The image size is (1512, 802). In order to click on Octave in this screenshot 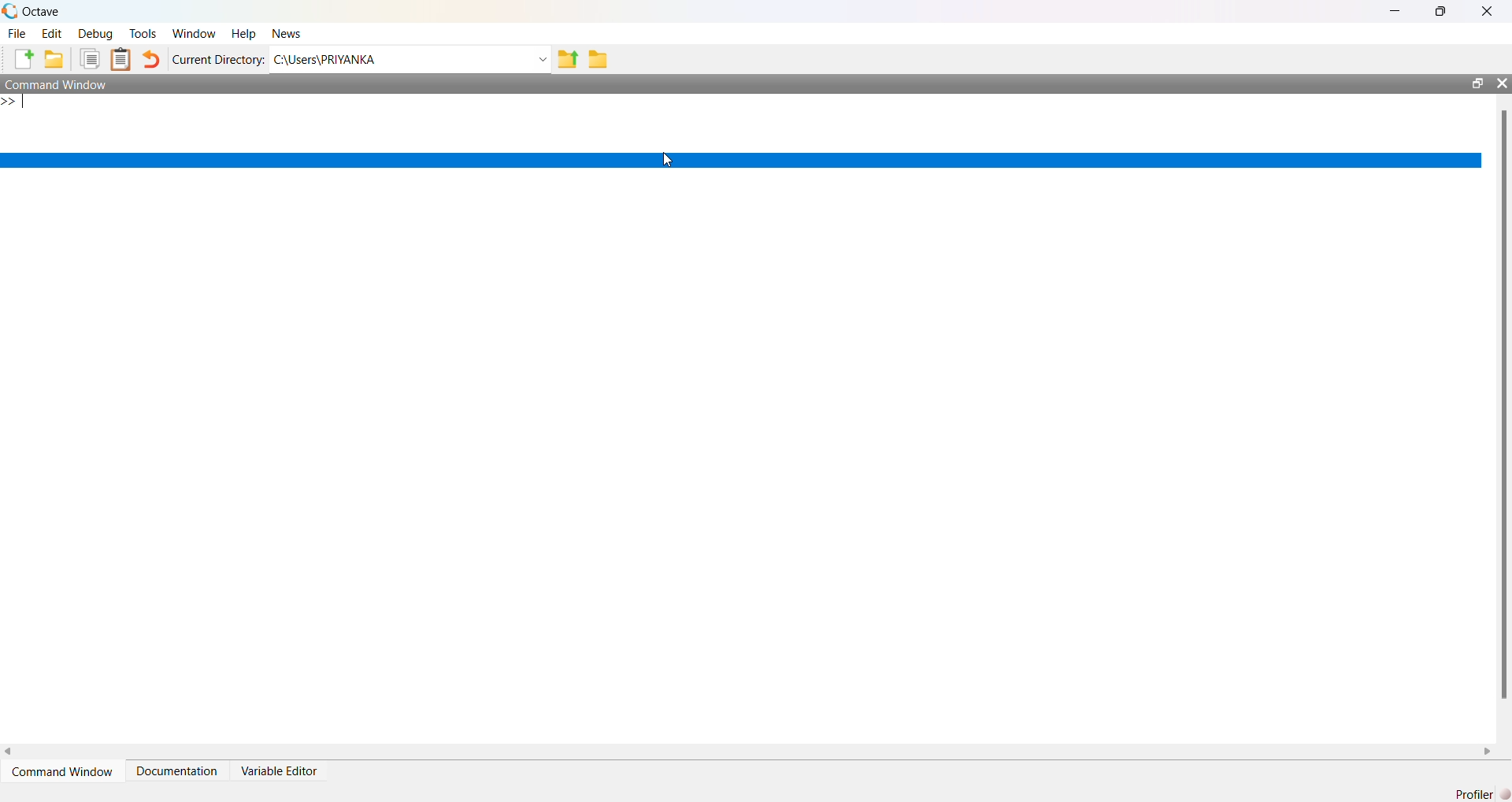, I will do `click(41, 11)`.